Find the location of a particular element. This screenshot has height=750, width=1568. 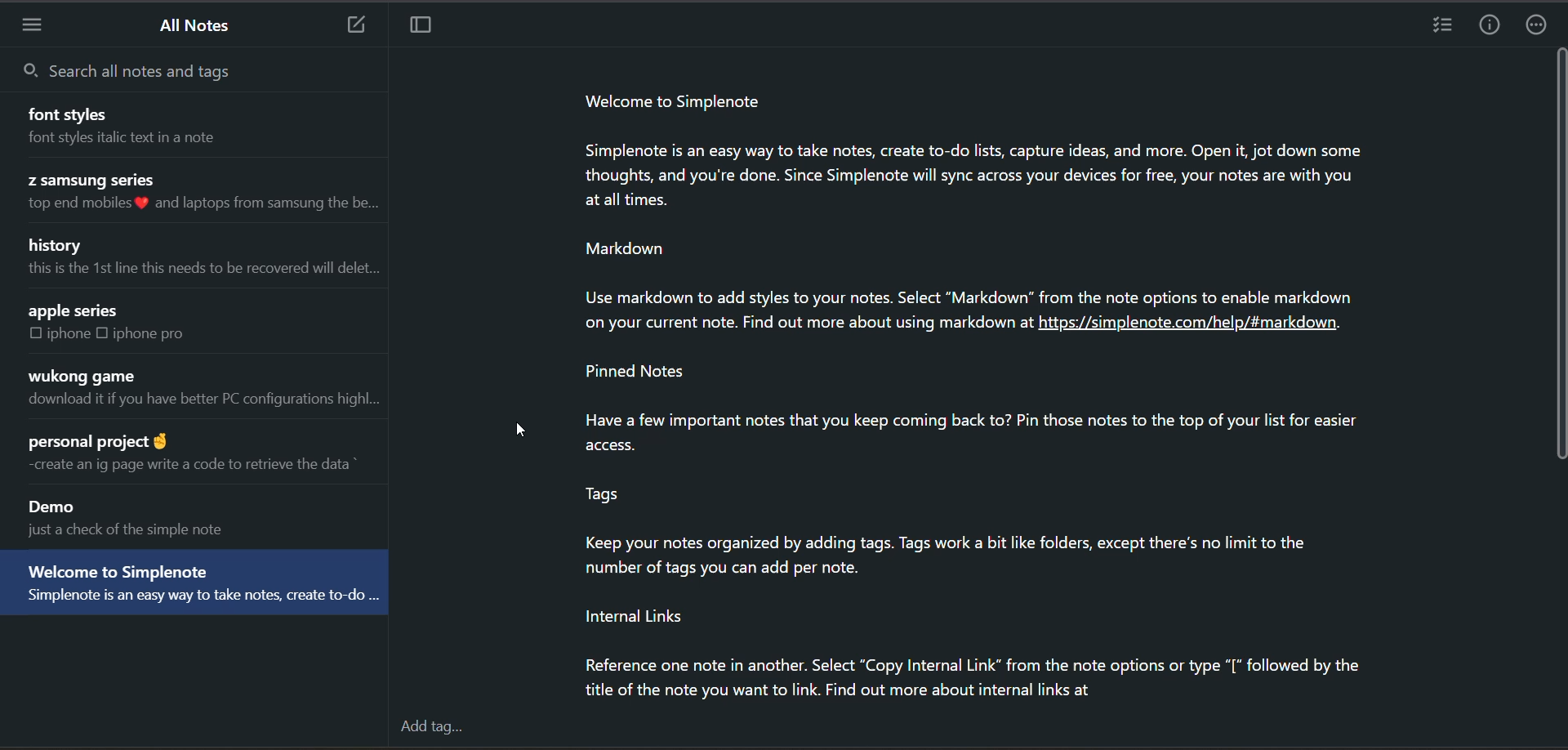

checkbox is located at coordinates (102, 335).